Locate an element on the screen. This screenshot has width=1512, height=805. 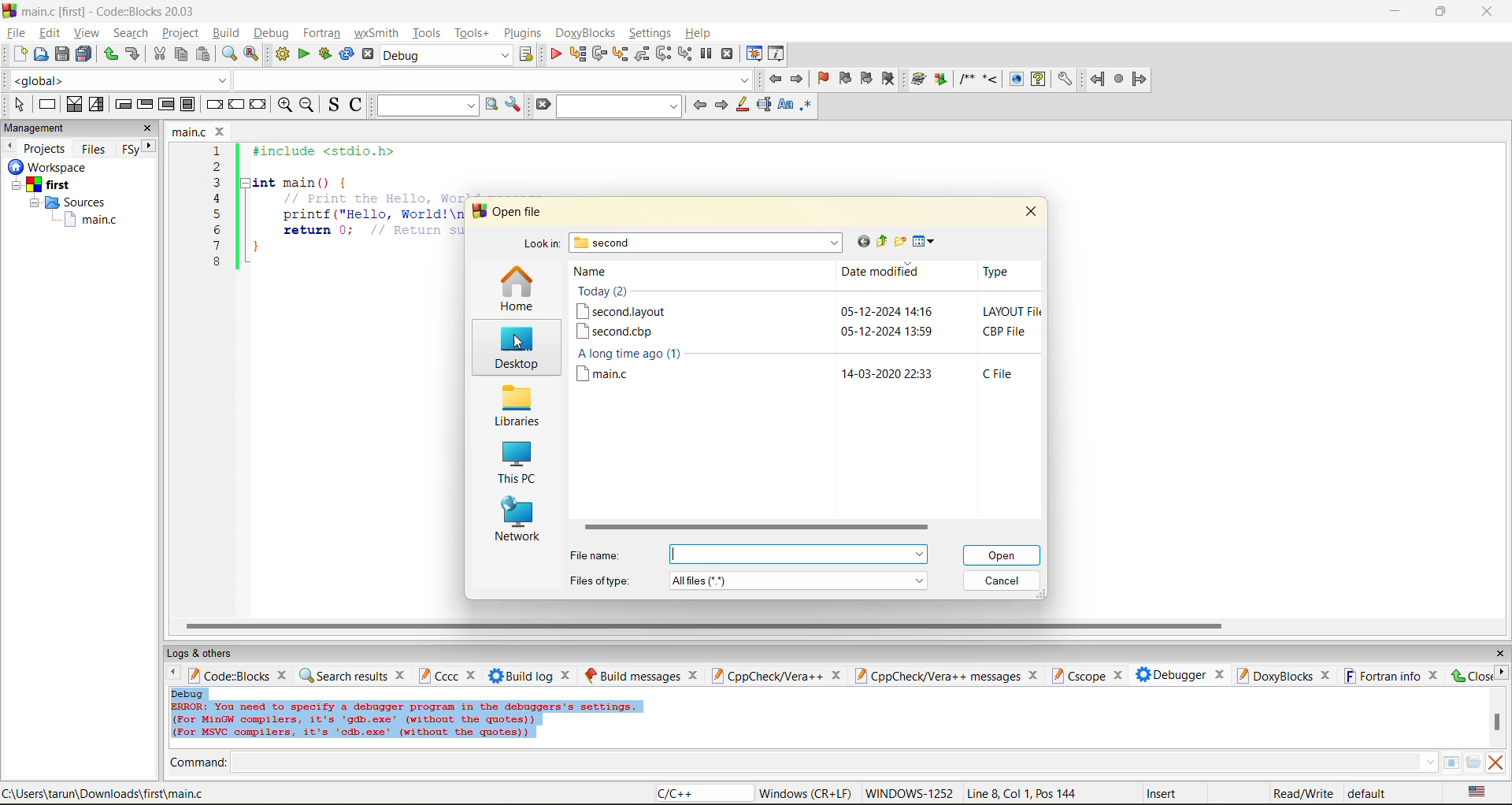
undo is located at coordinates (131, 54).